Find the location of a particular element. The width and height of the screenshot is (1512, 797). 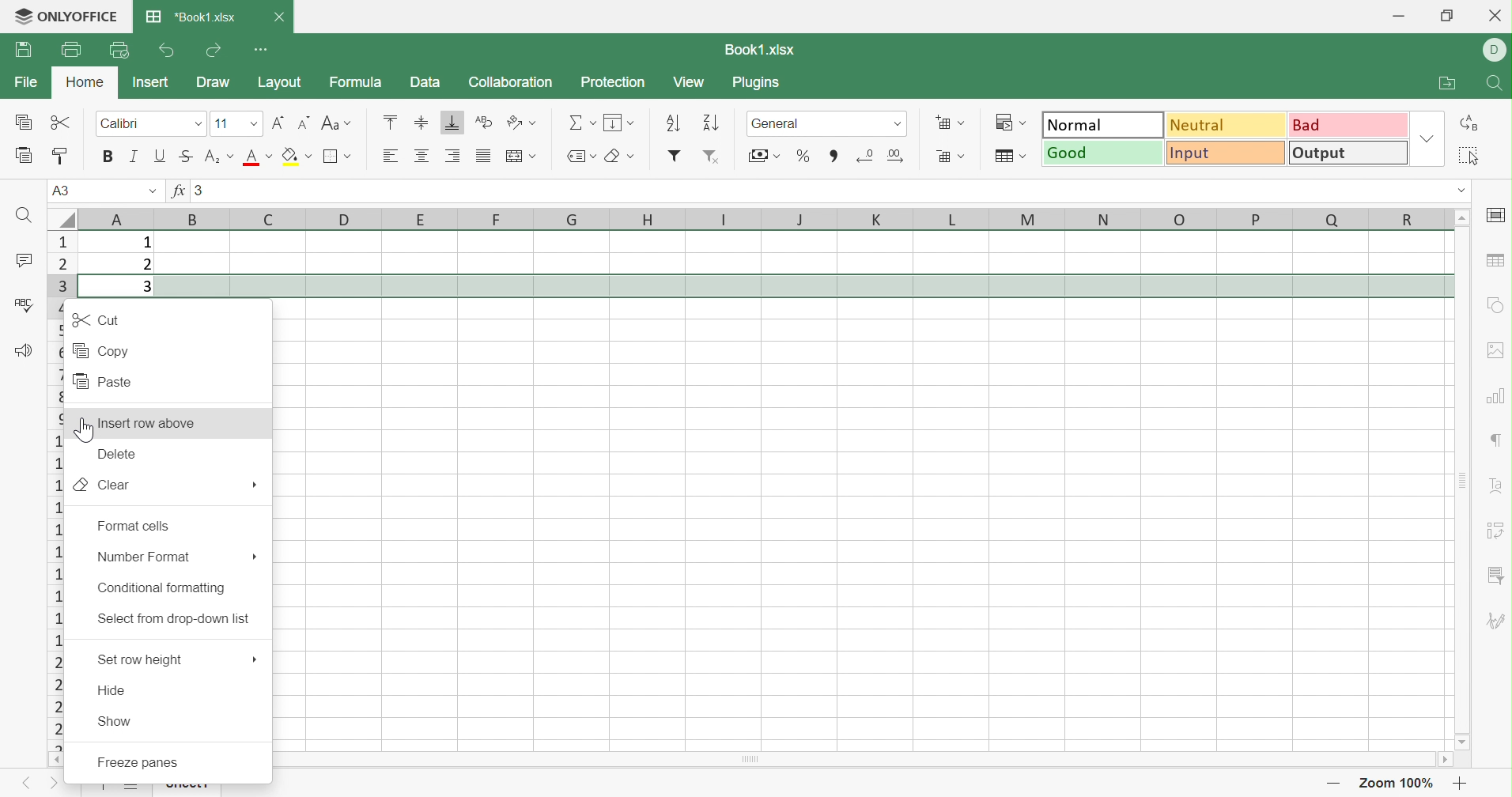

Cut is located at coordinates (61, 123).